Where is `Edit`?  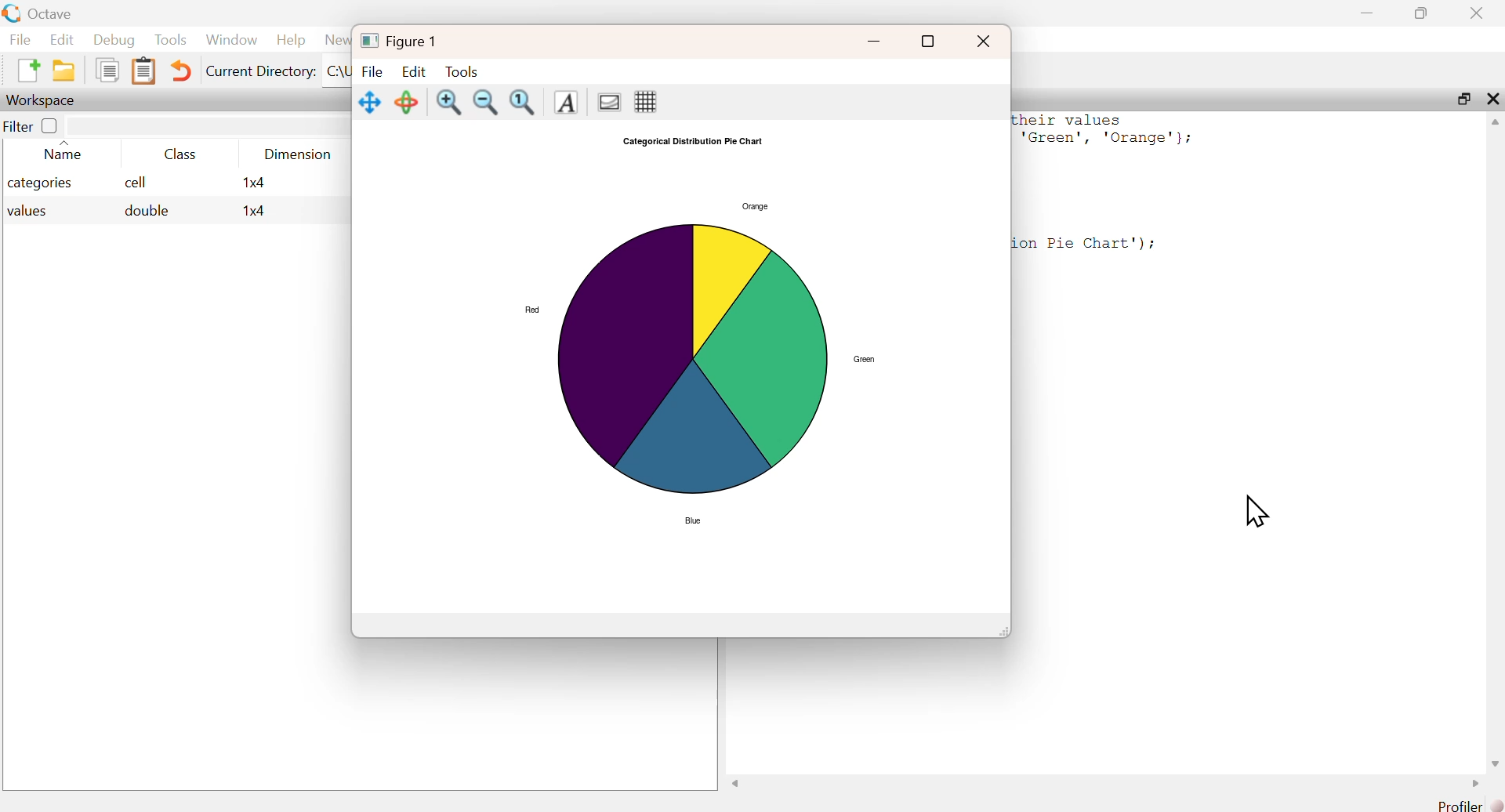
Edit is located at coordinates (415, 71).